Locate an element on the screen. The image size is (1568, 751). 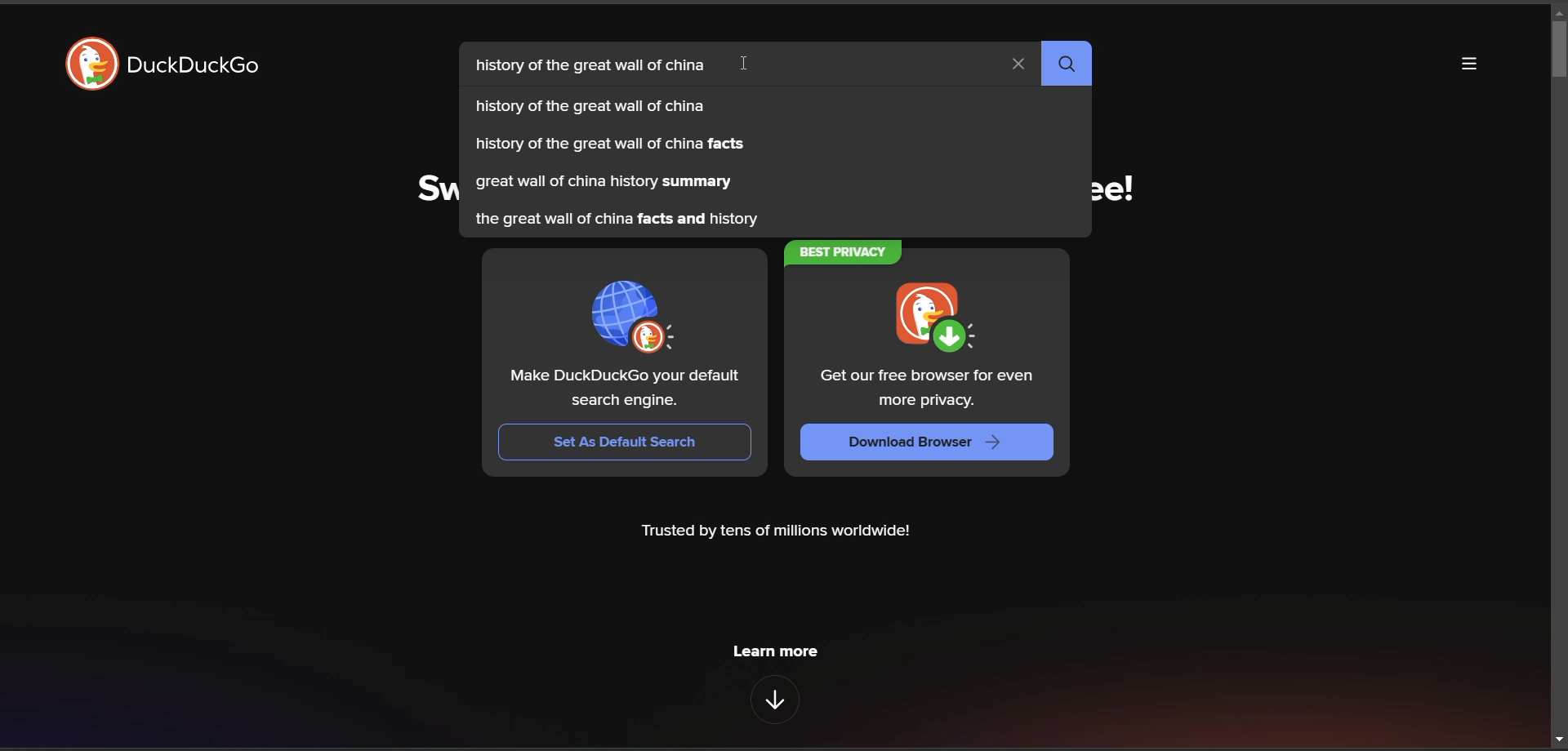
Make DuckDuckGo your default
search engine. is located at coordinates (631, 391).